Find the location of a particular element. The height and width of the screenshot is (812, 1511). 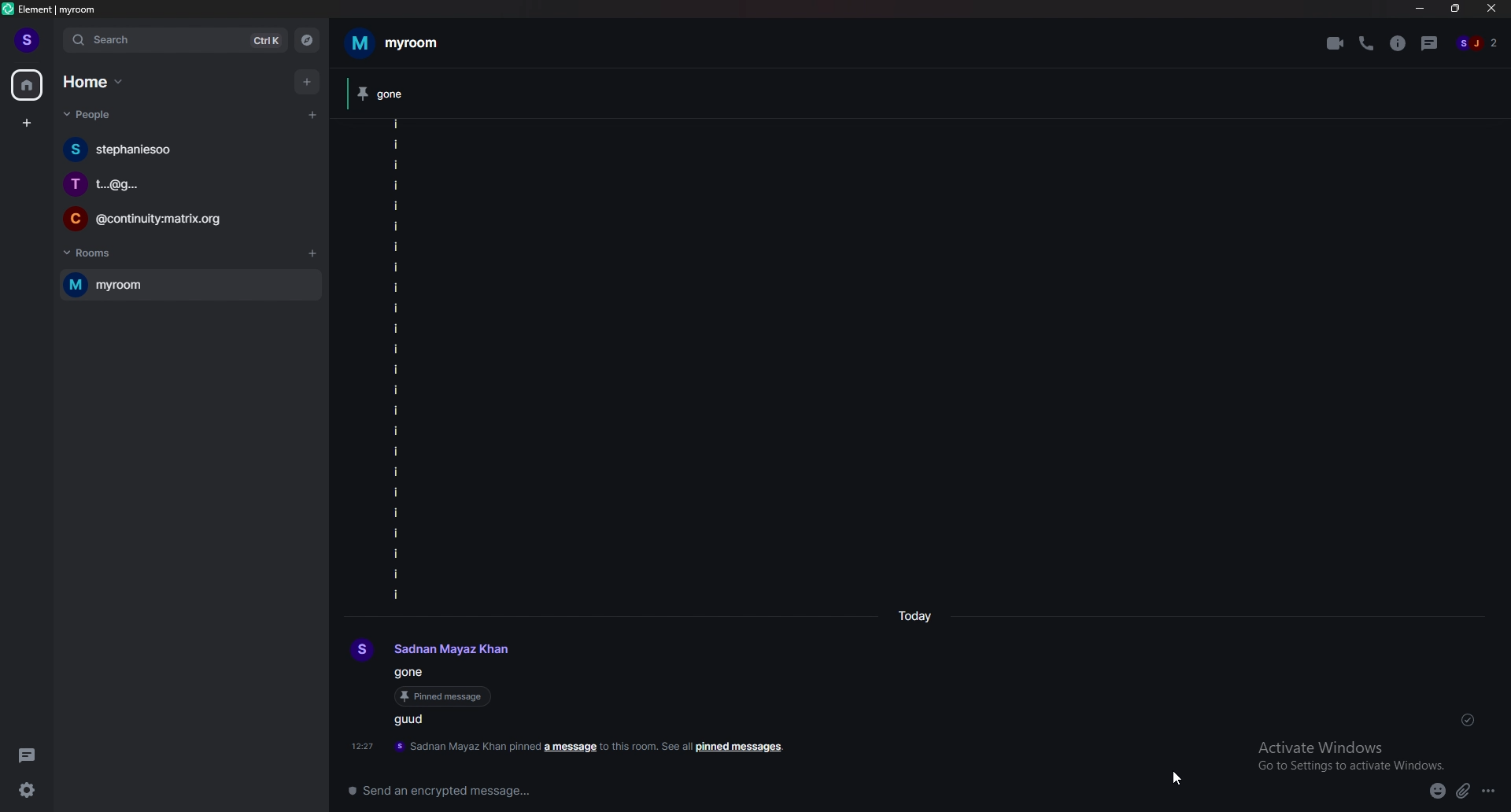

profile is located at coordinates (434, 651).